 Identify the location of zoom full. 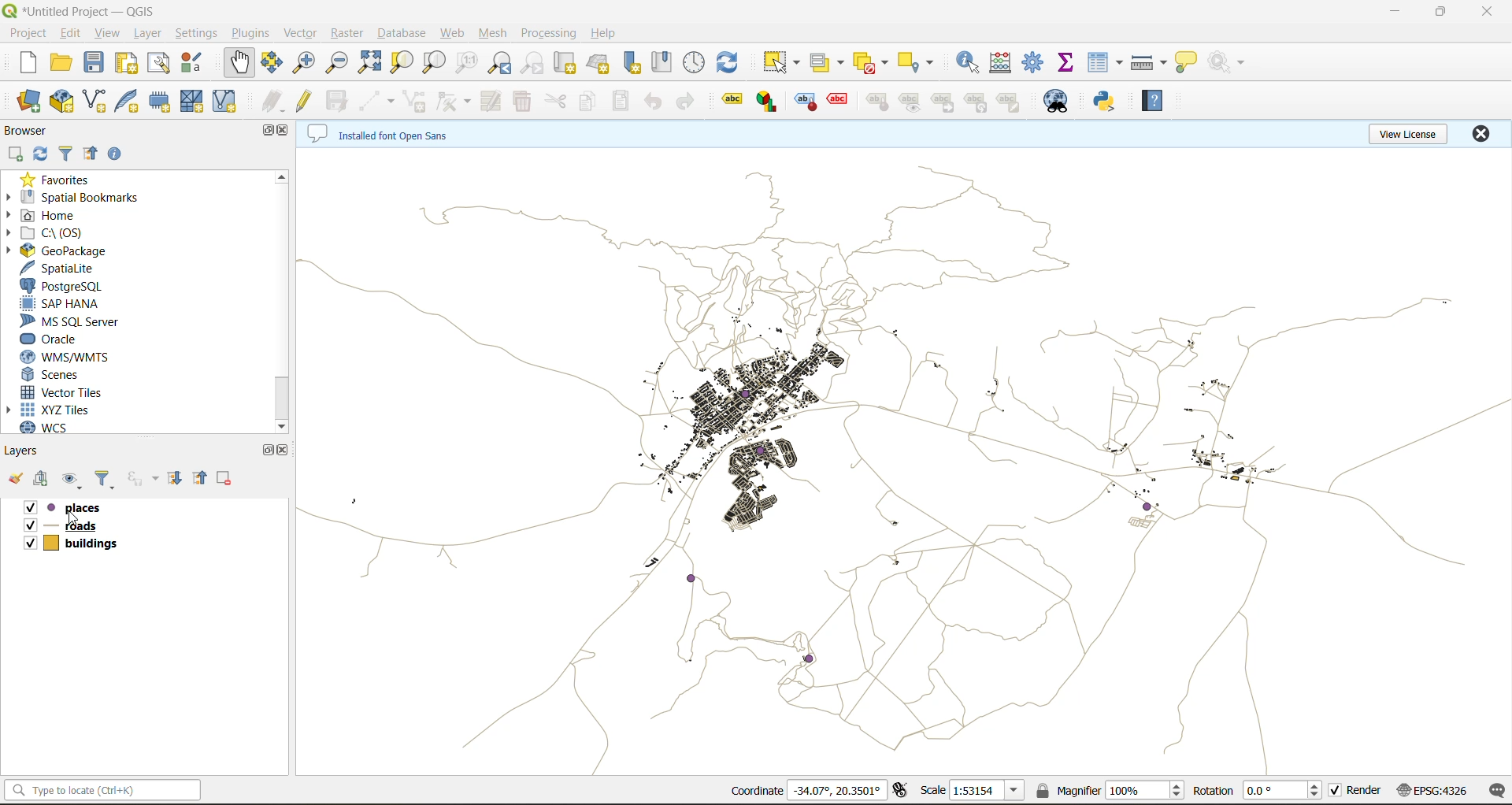
(369, 65).